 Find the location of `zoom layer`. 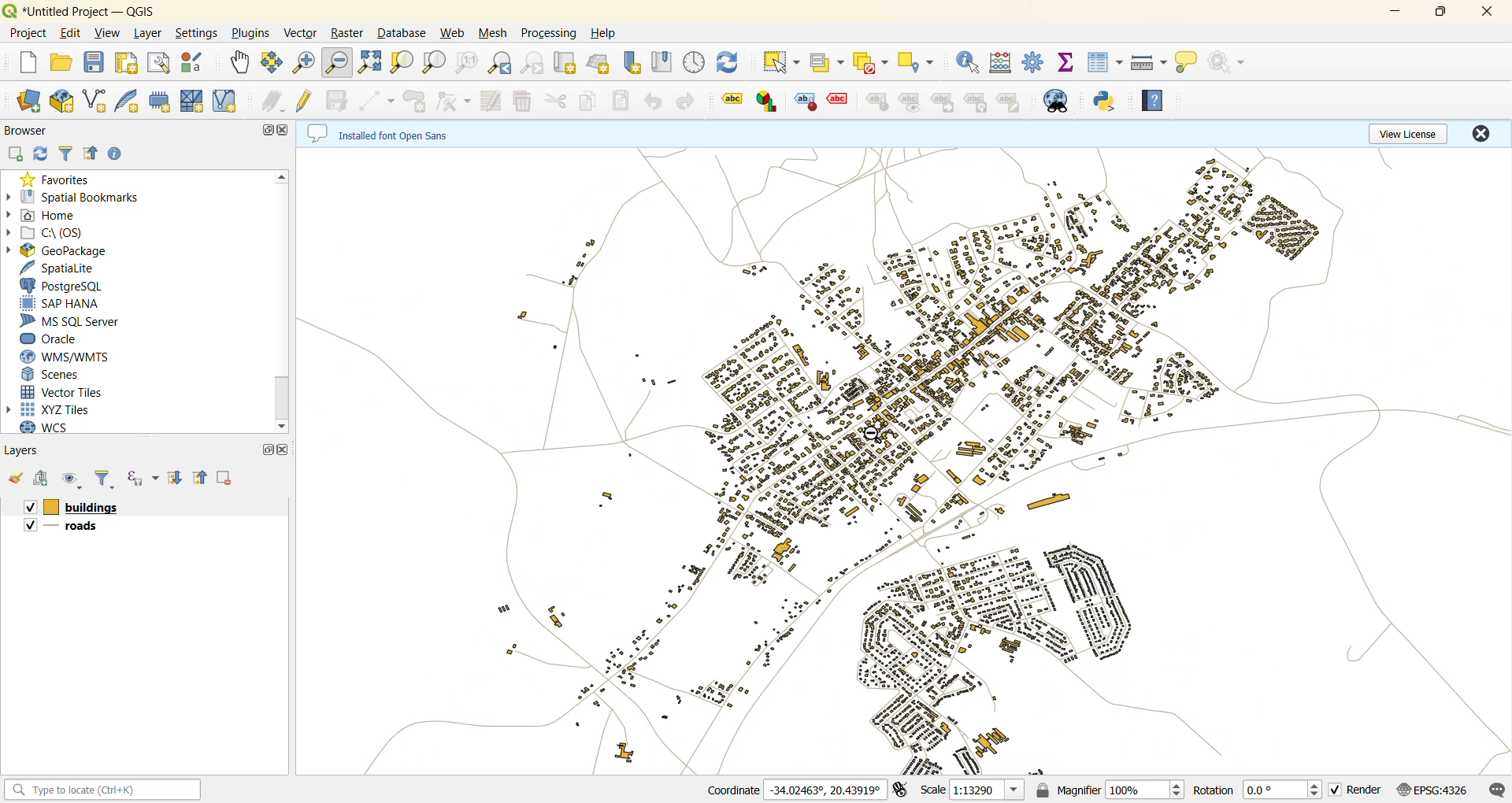

zoom layer is located at coordinates (435, 64).